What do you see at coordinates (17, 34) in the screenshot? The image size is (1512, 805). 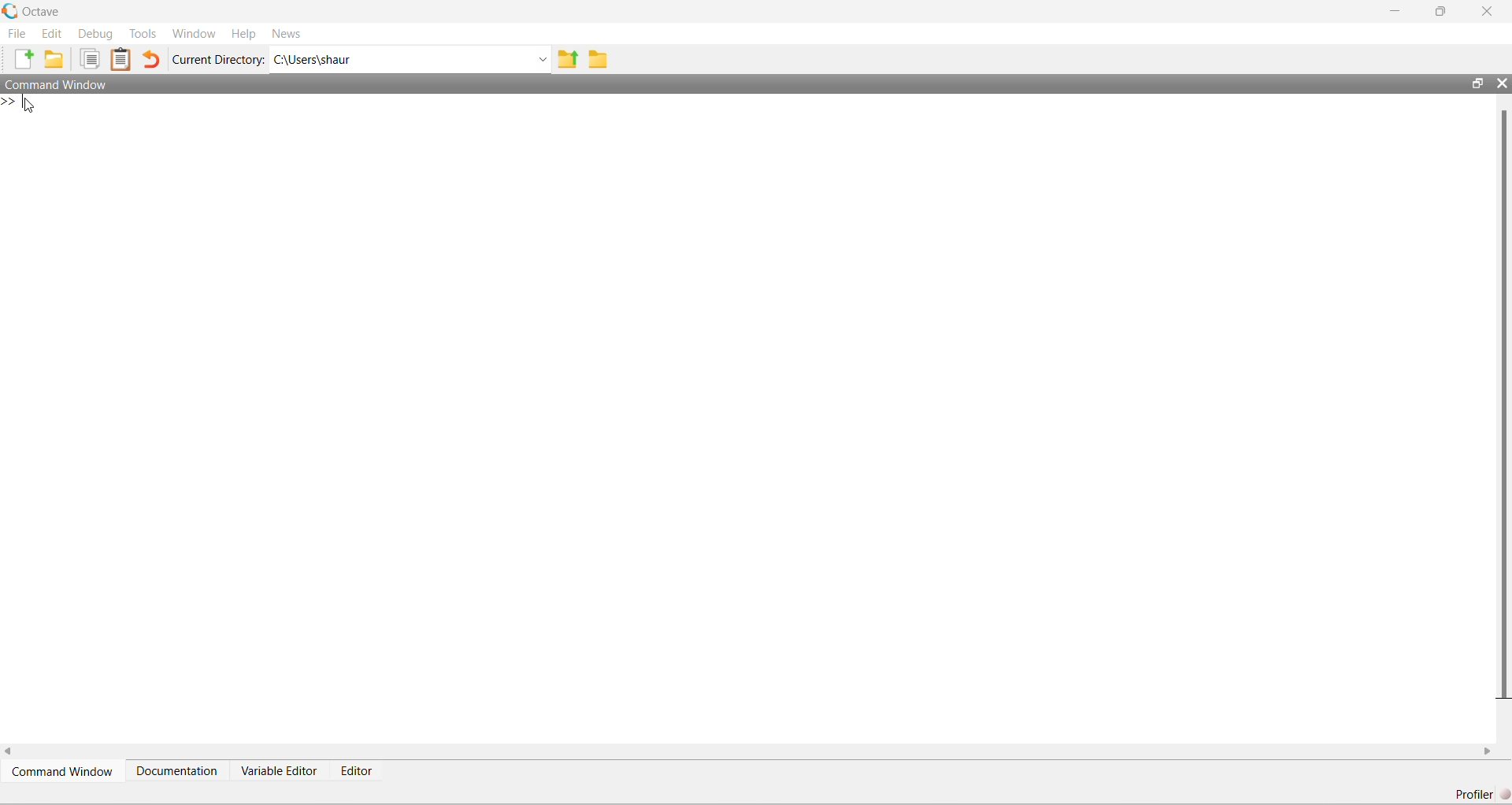 I see `File` at bounding box center [17, 34].